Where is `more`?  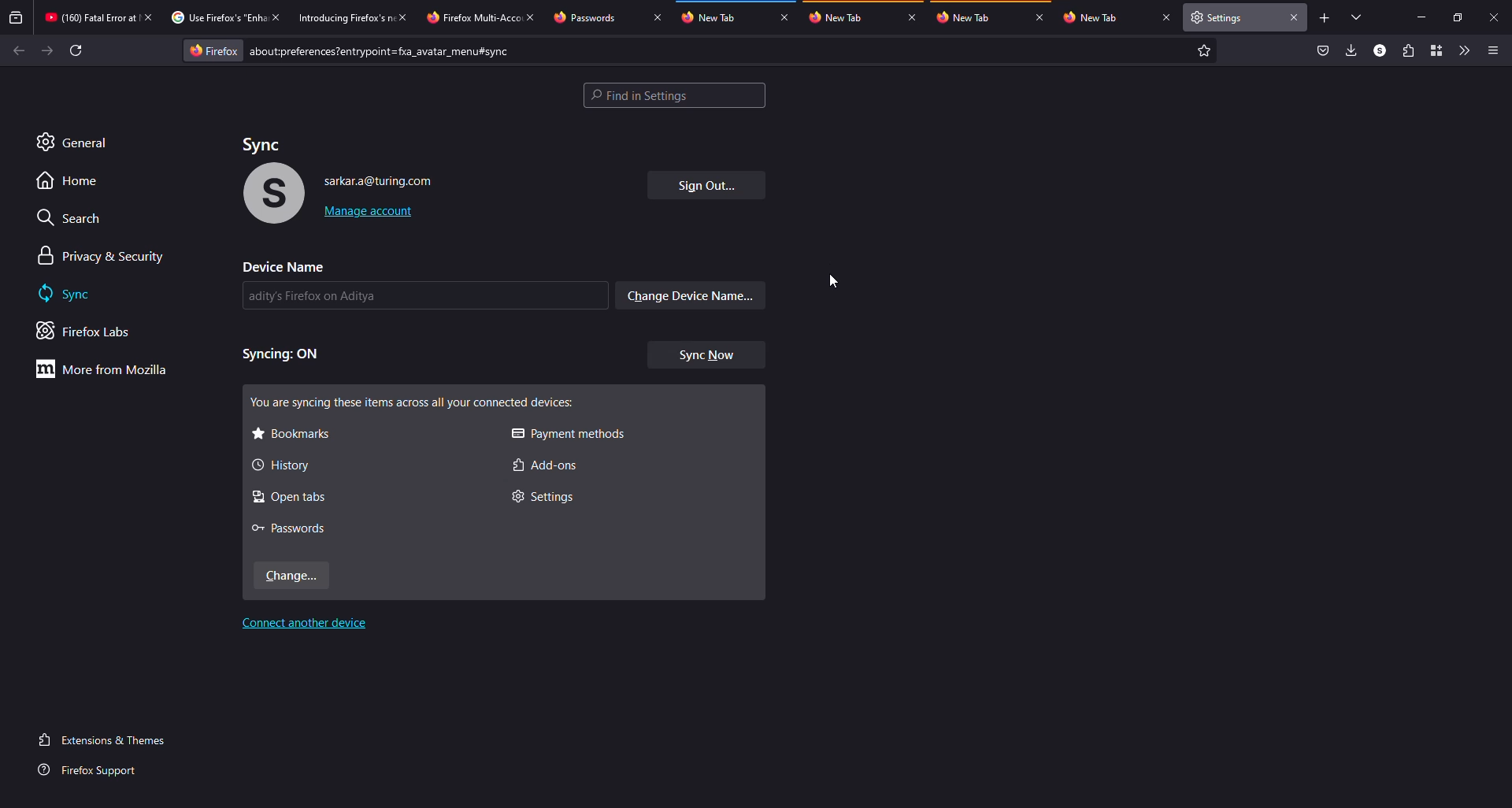 more is located at coordinates (110, 365).